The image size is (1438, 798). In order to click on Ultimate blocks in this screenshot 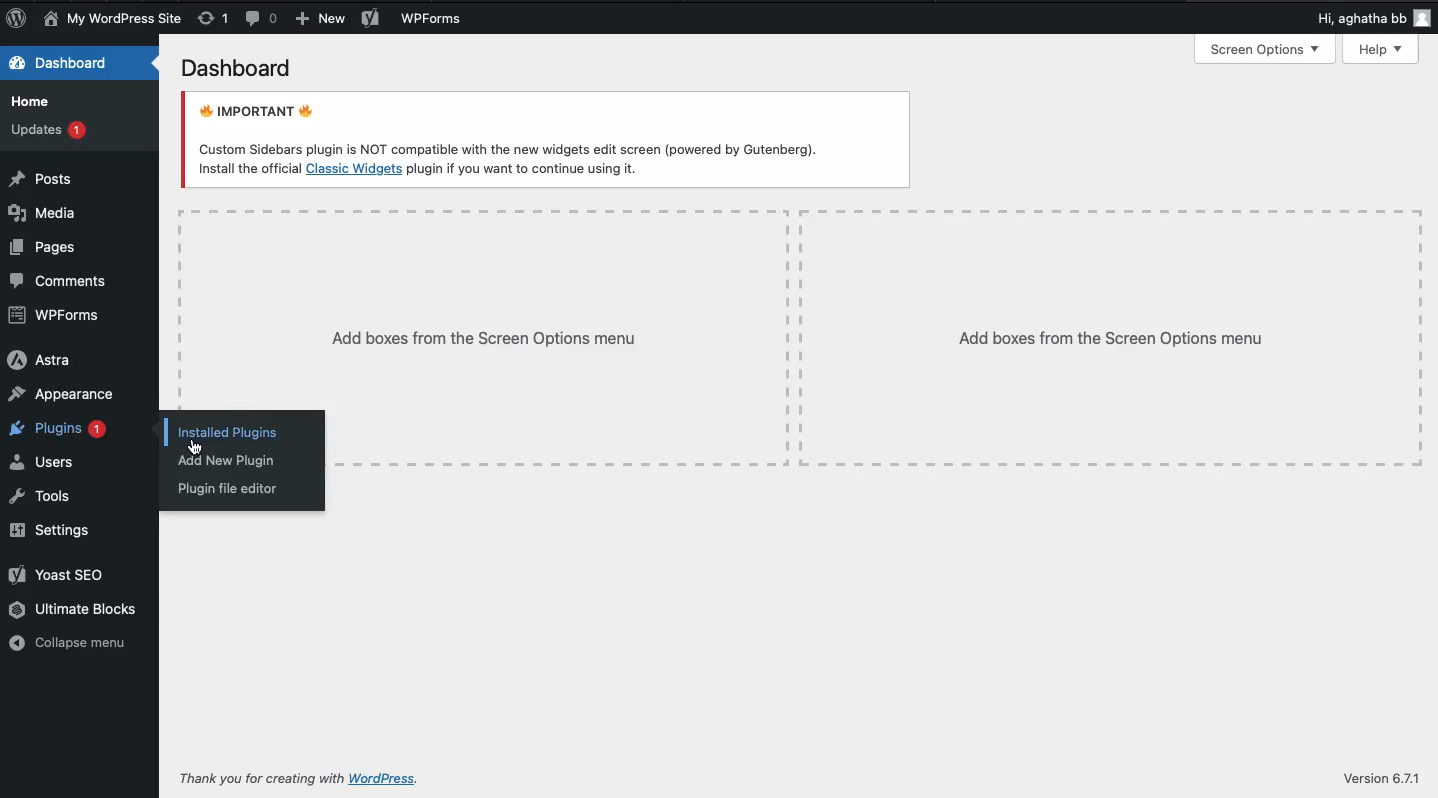, I will do `click(75, 609)`.